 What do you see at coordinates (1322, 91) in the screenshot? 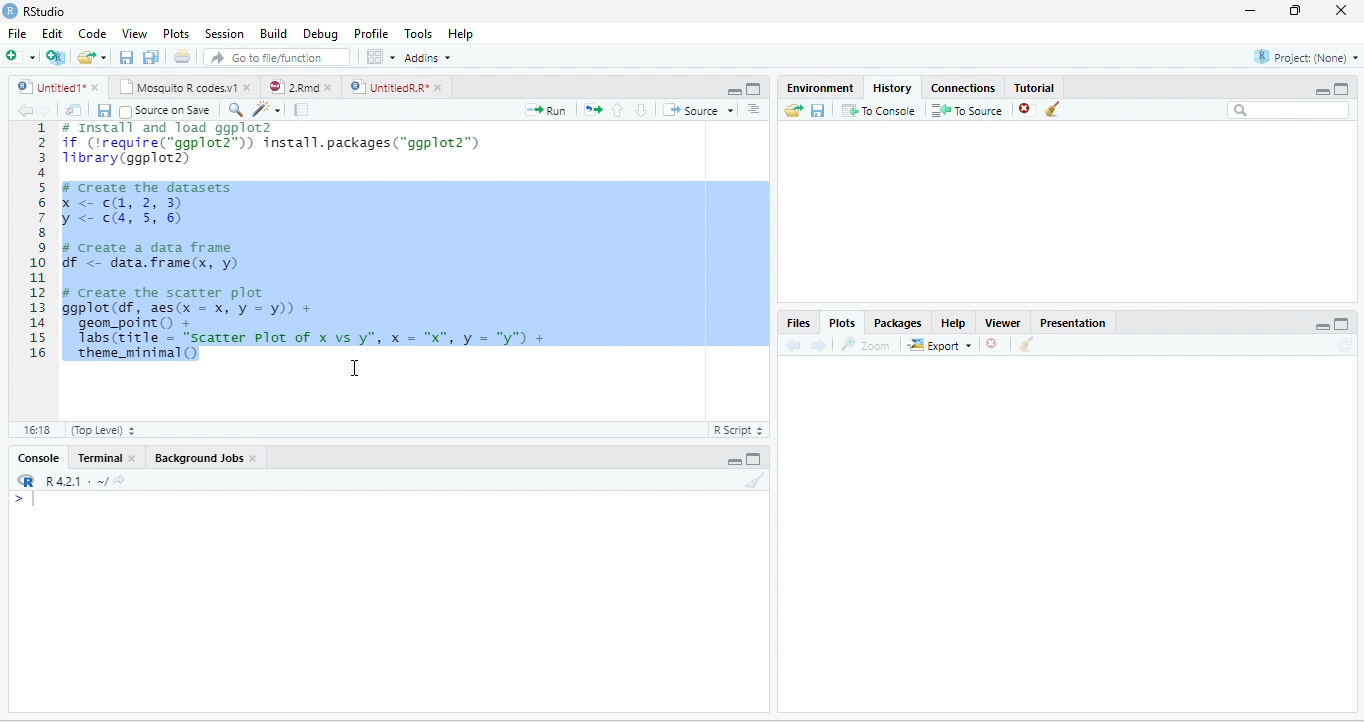
I see `Minimize` at bounding box center [1322, 91].